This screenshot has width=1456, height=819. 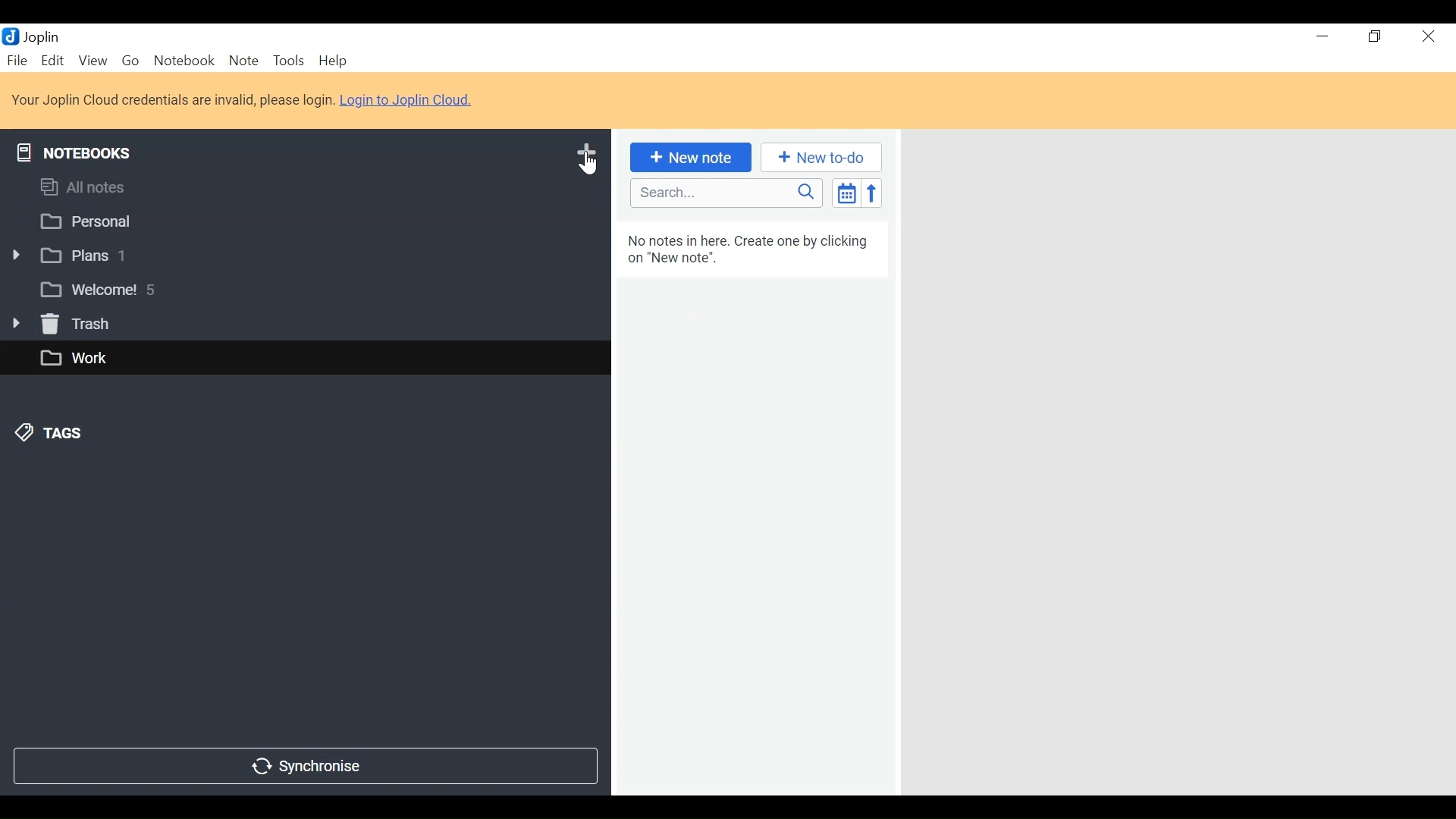 What do you see at coordinates (690, 157) in the screenshot?
I see `New Note` at bounding box center [690, 157].